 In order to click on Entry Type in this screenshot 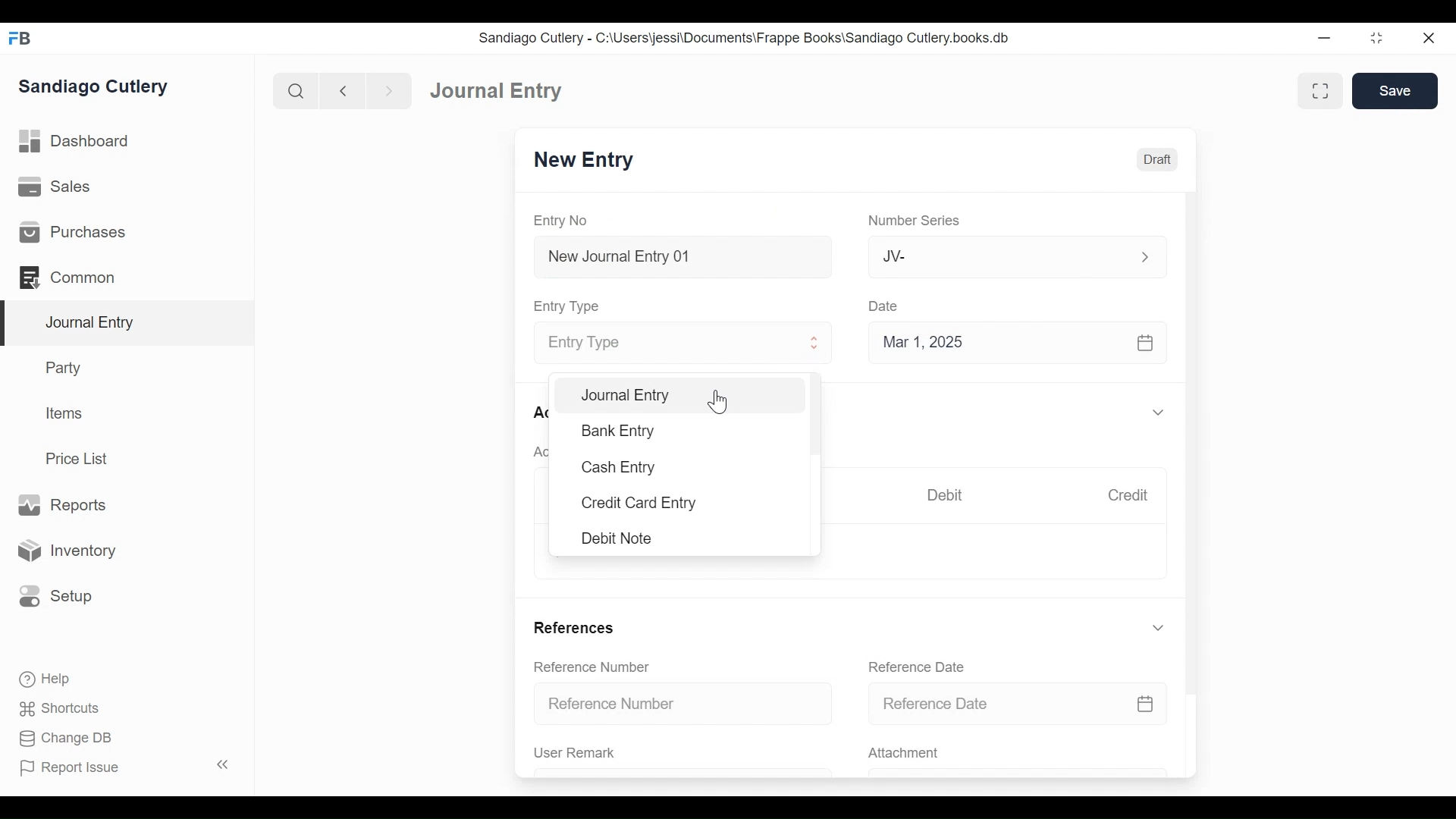, I will do `click(566, 306)`.